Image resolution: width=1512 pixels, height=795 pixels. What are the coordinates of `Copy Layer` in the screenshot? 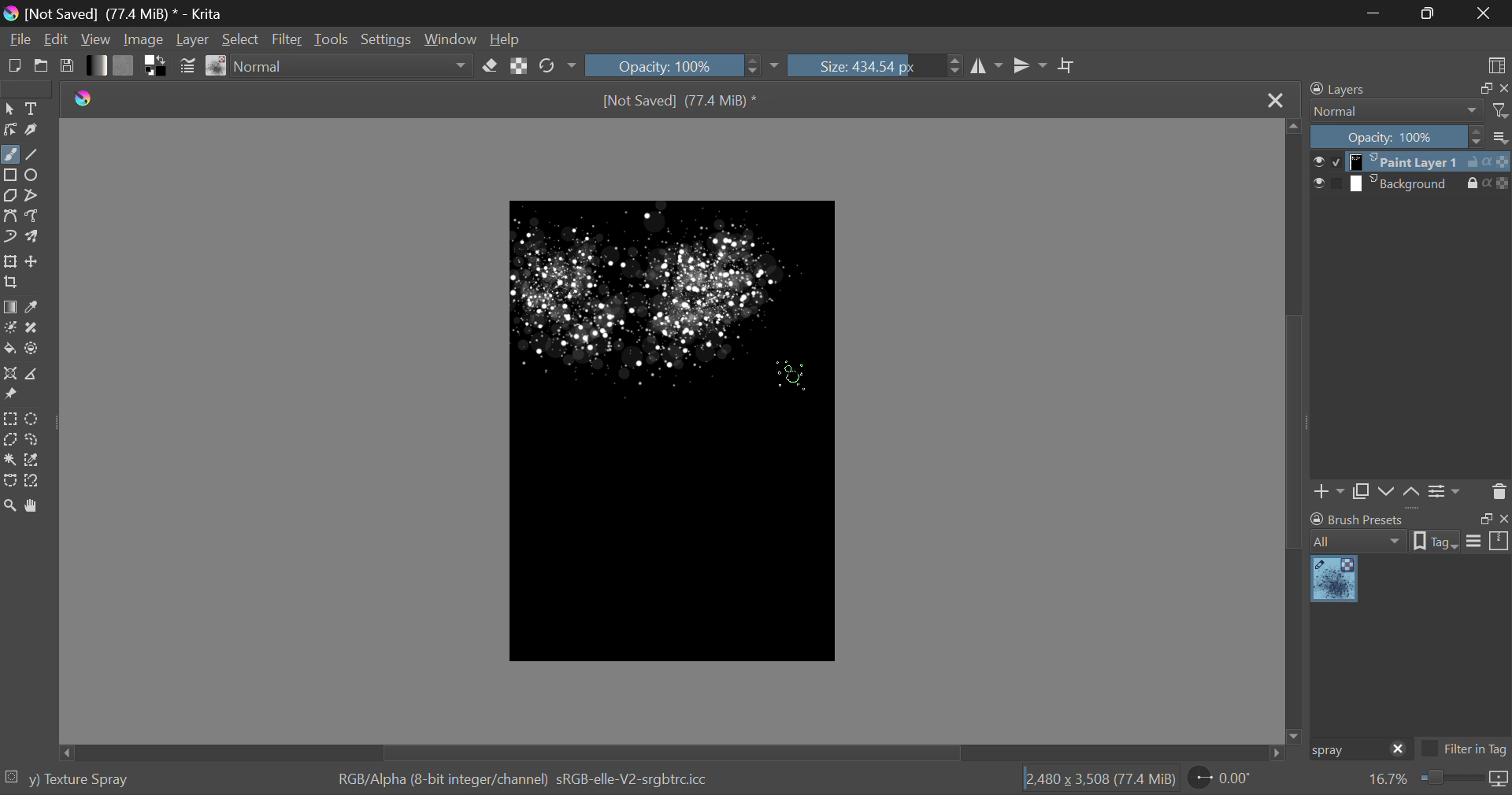 It's located at (1361, 494).